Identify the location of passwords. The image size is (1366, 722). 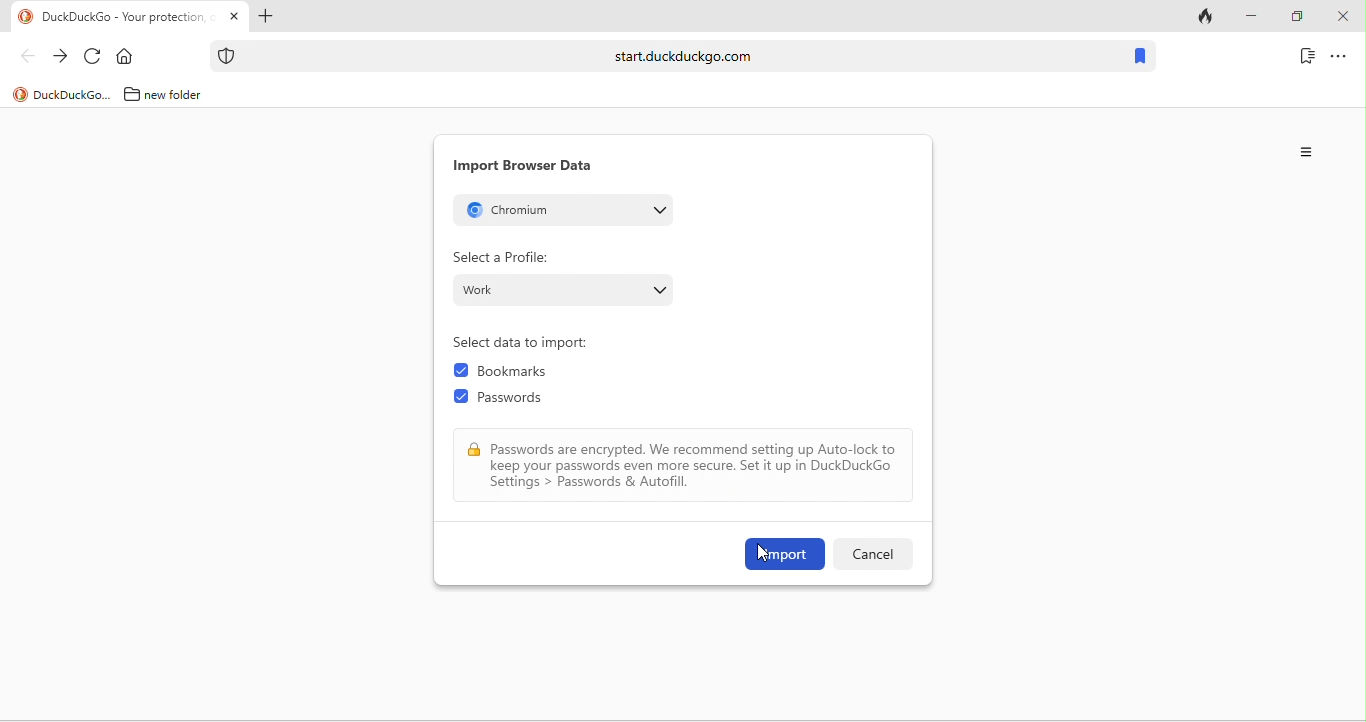
(520, 401).